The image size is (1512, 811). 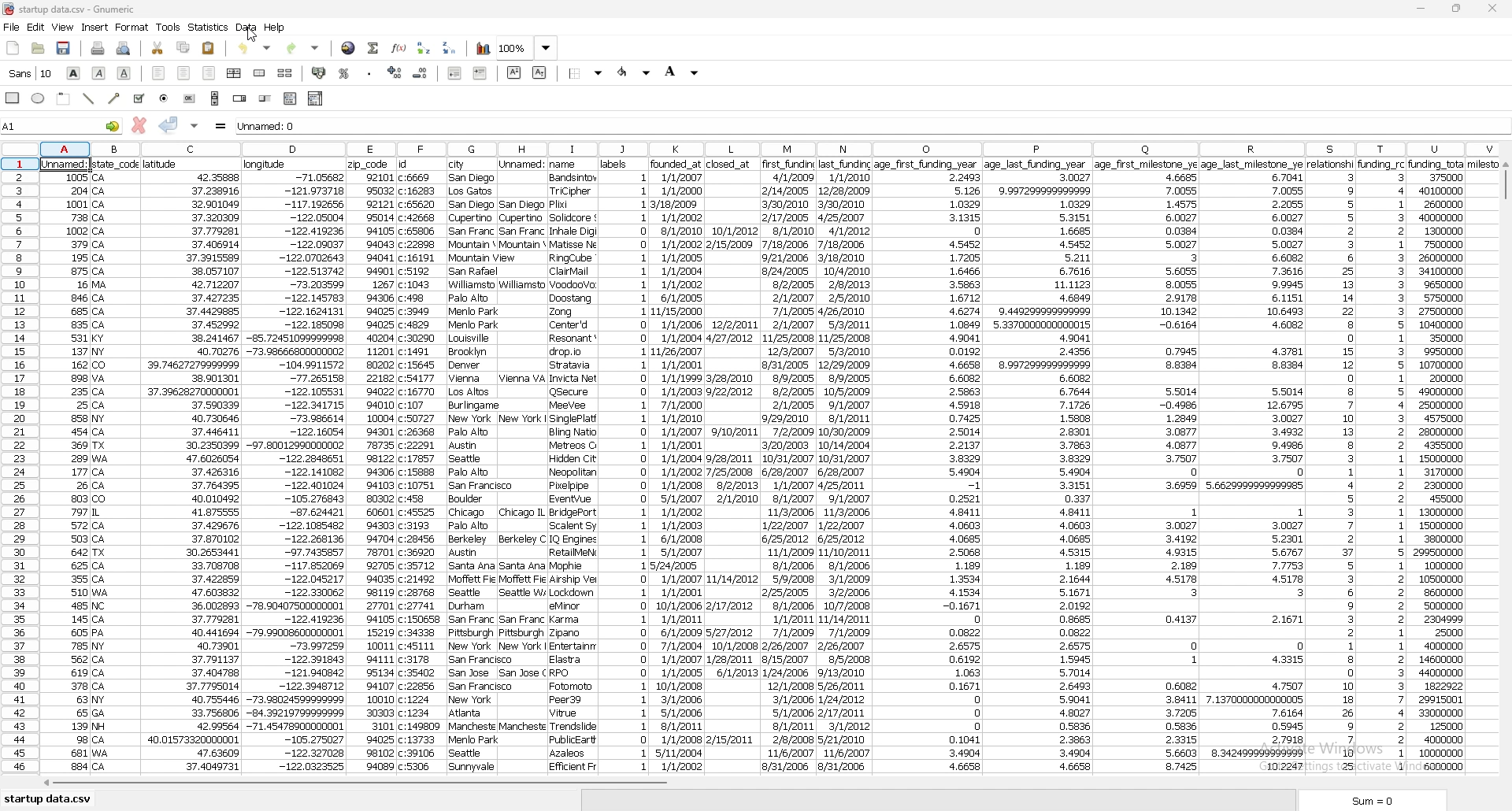 What do you see at coordinates (169, 27) in the screenshot?
I see `tools` at bounding box center [169, 27].